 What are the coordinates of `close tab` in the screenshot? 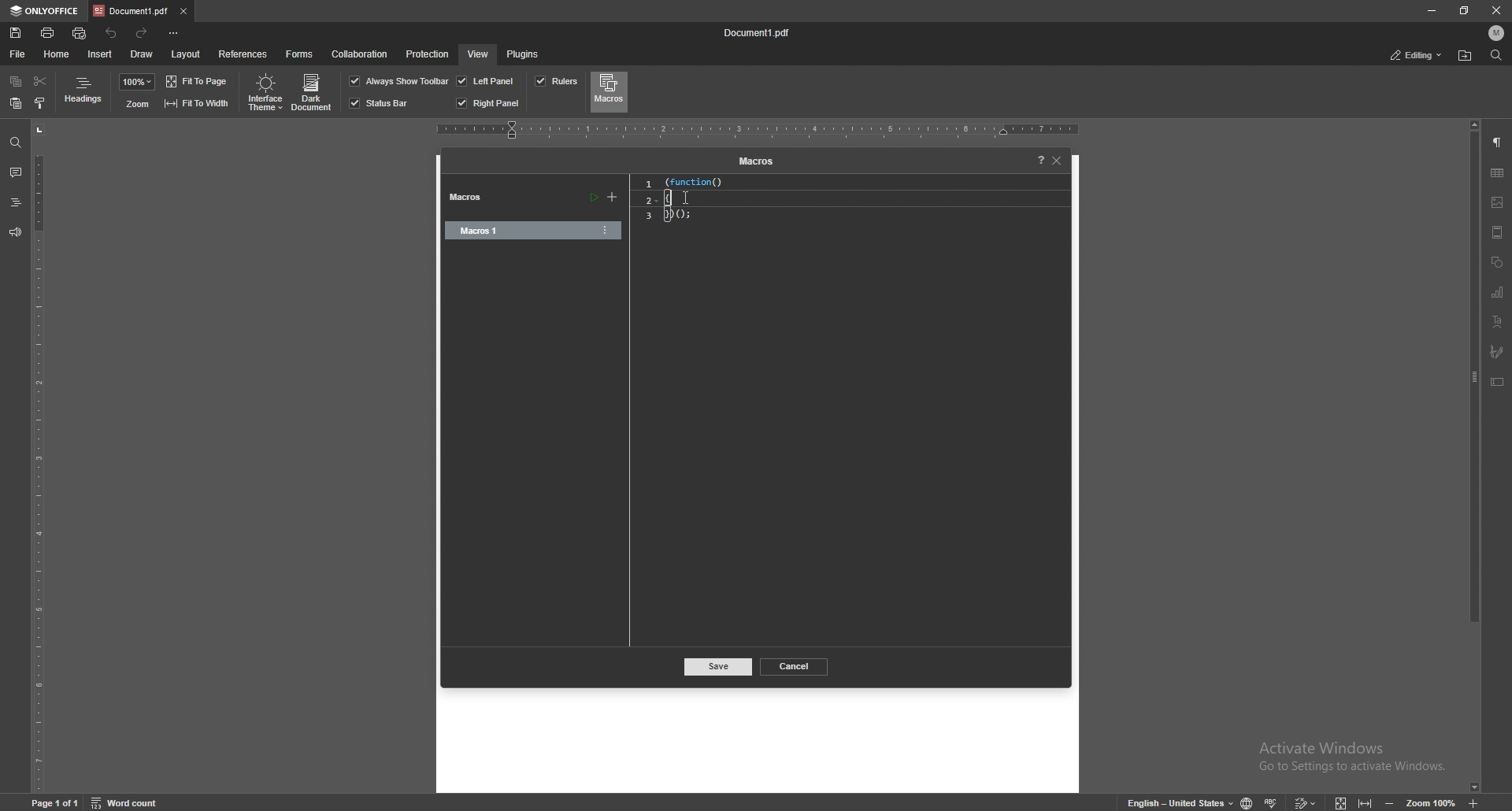 It's located at (183, 10).